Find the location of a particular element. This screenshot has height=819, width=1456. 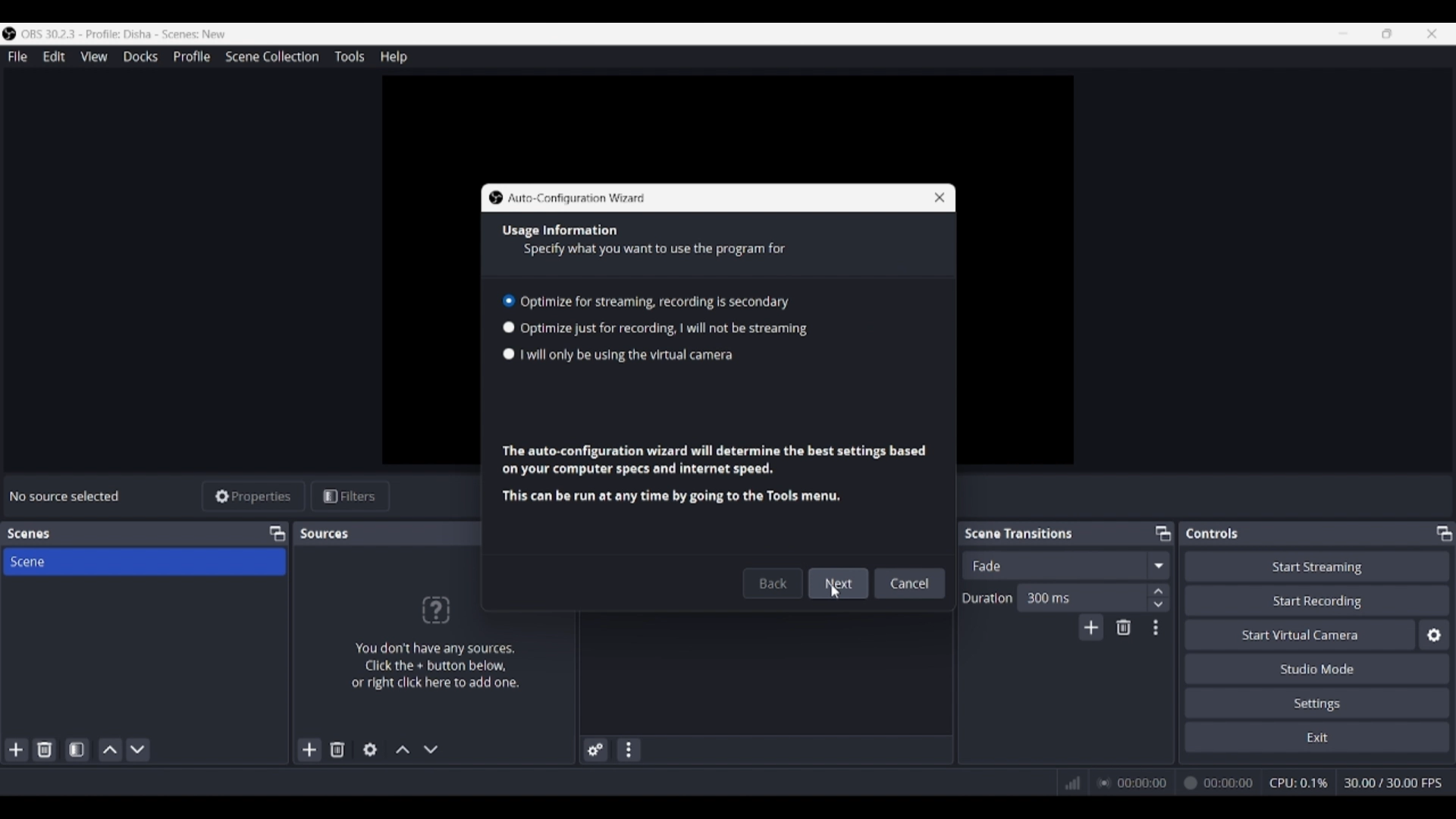

Help menu is located at coordinates (394, 57).